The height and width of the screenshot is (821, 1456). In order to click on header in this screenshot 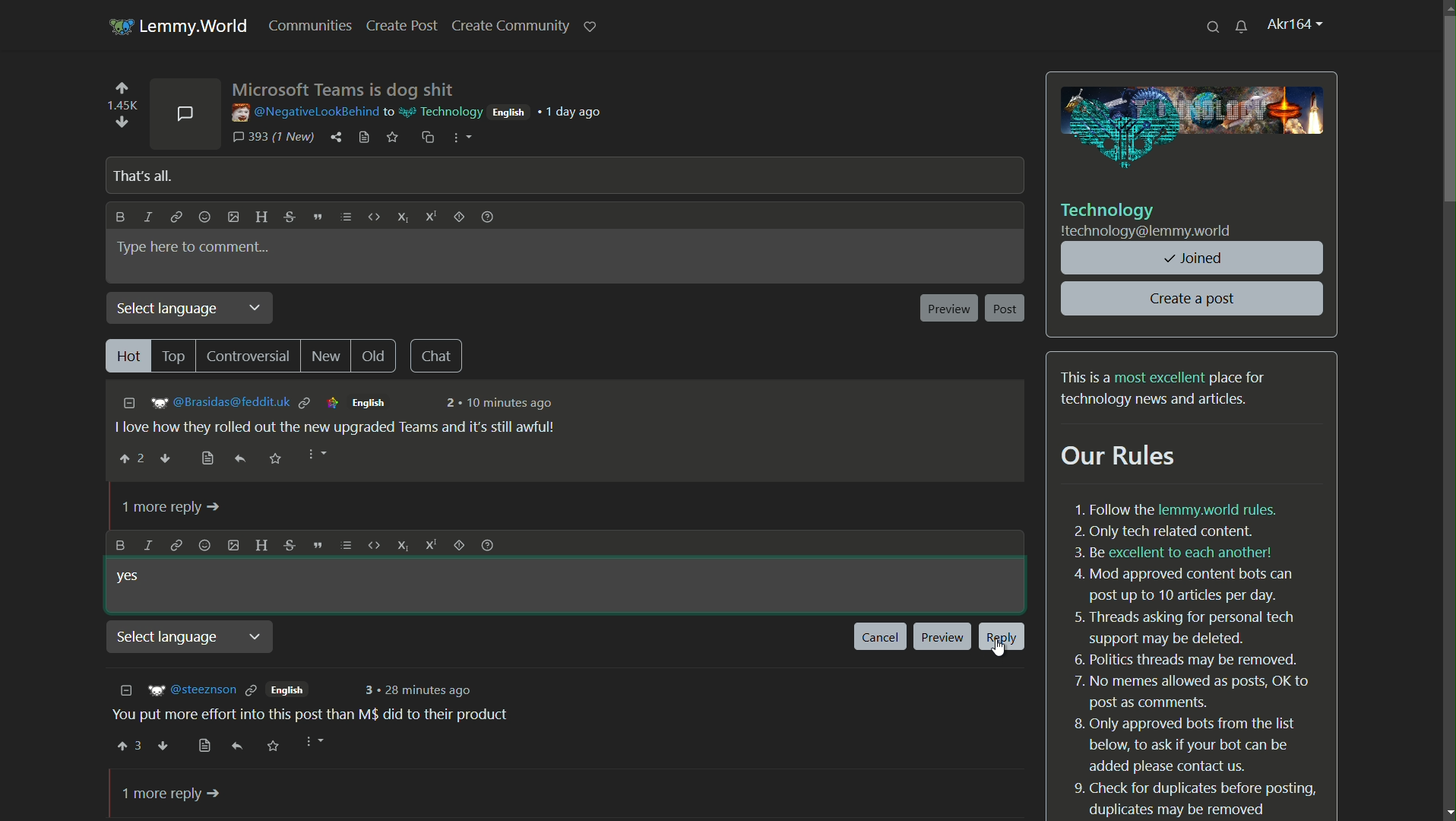, I will do `click(258, 217)`.